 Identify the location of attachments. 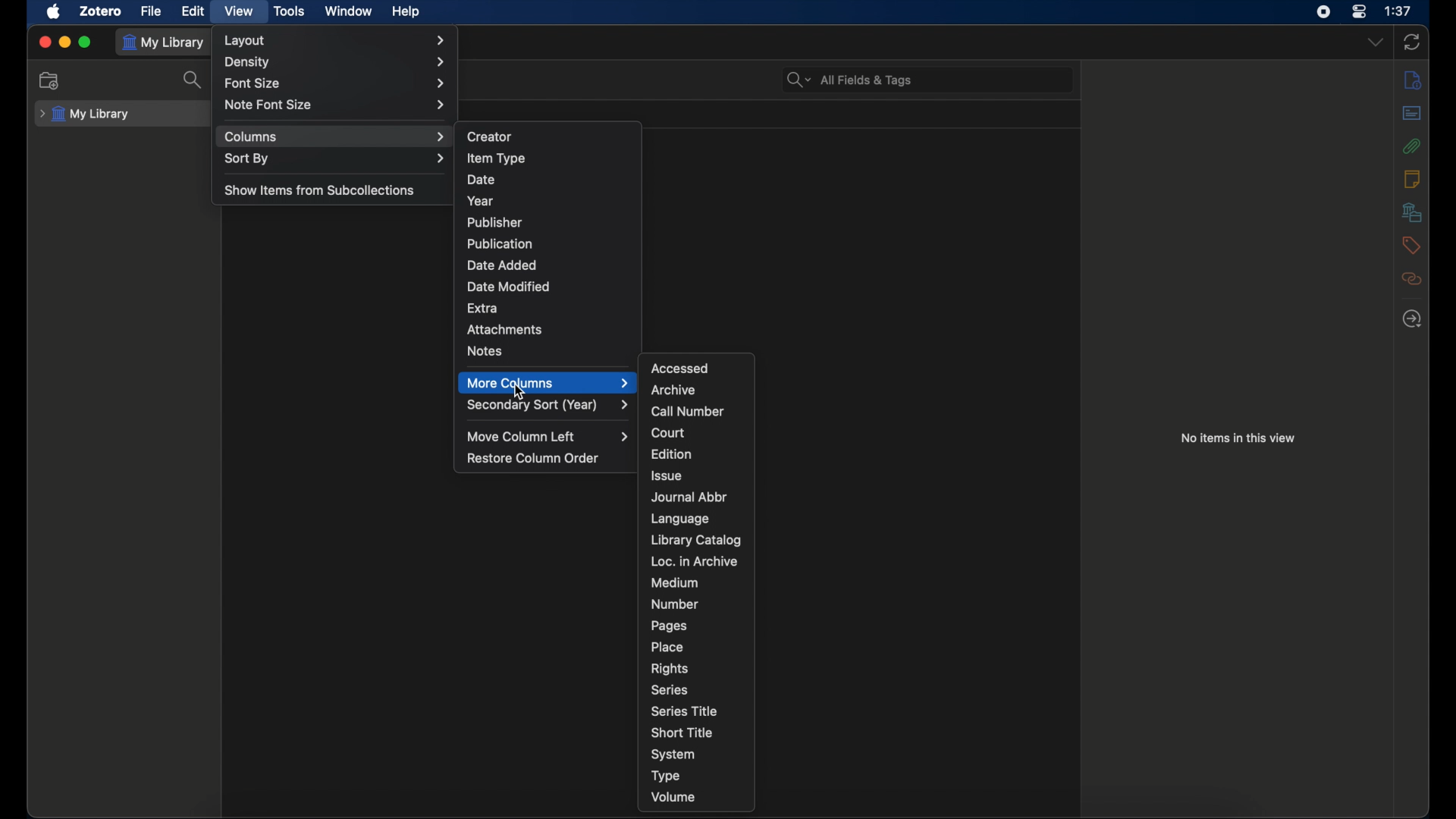
(506, 330).